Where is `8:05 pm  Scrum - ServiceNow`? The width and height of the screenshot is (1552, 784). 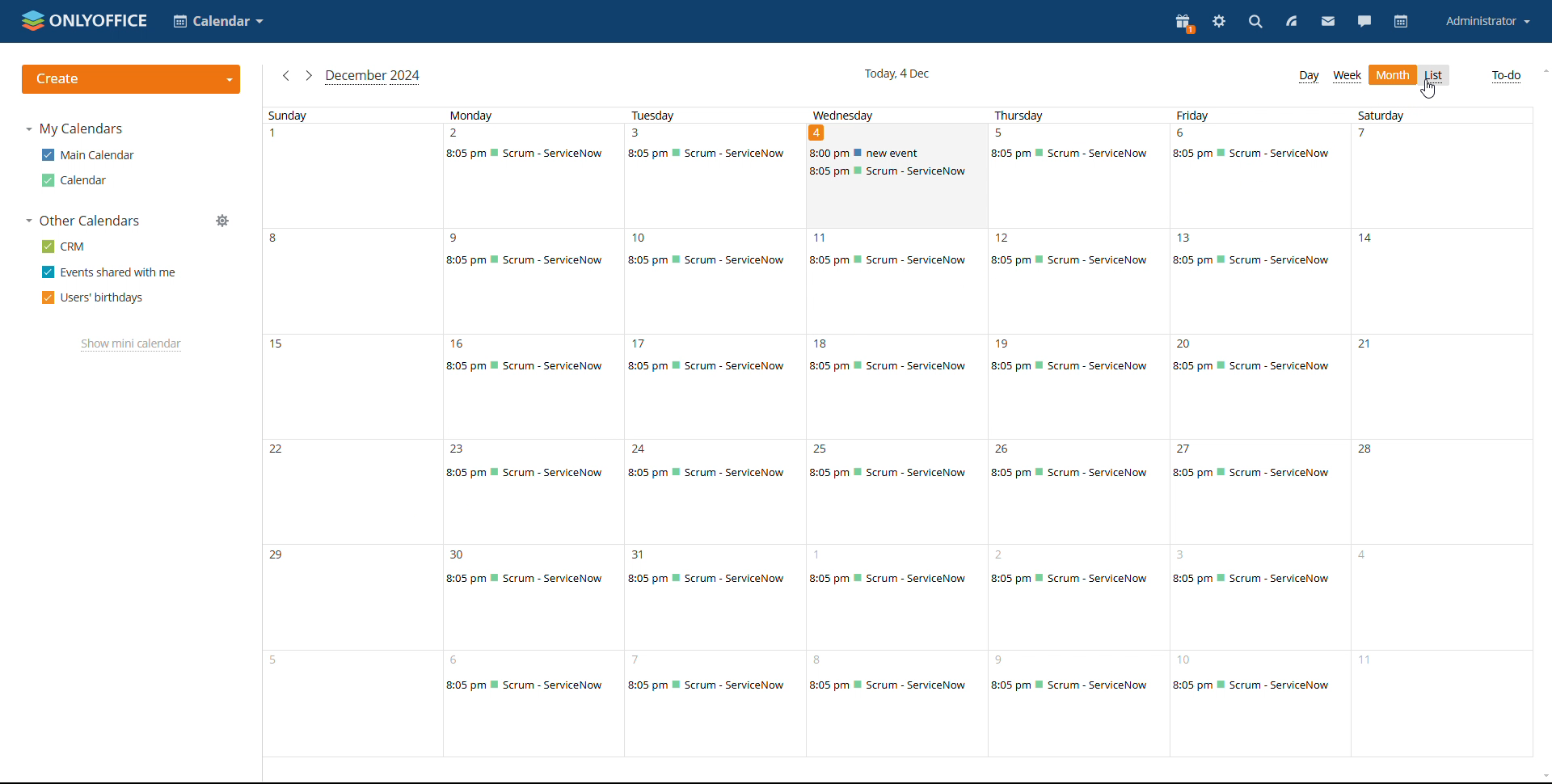 8:05 pm  Scrum - ServiceNow is located at coordinates (529, 154).